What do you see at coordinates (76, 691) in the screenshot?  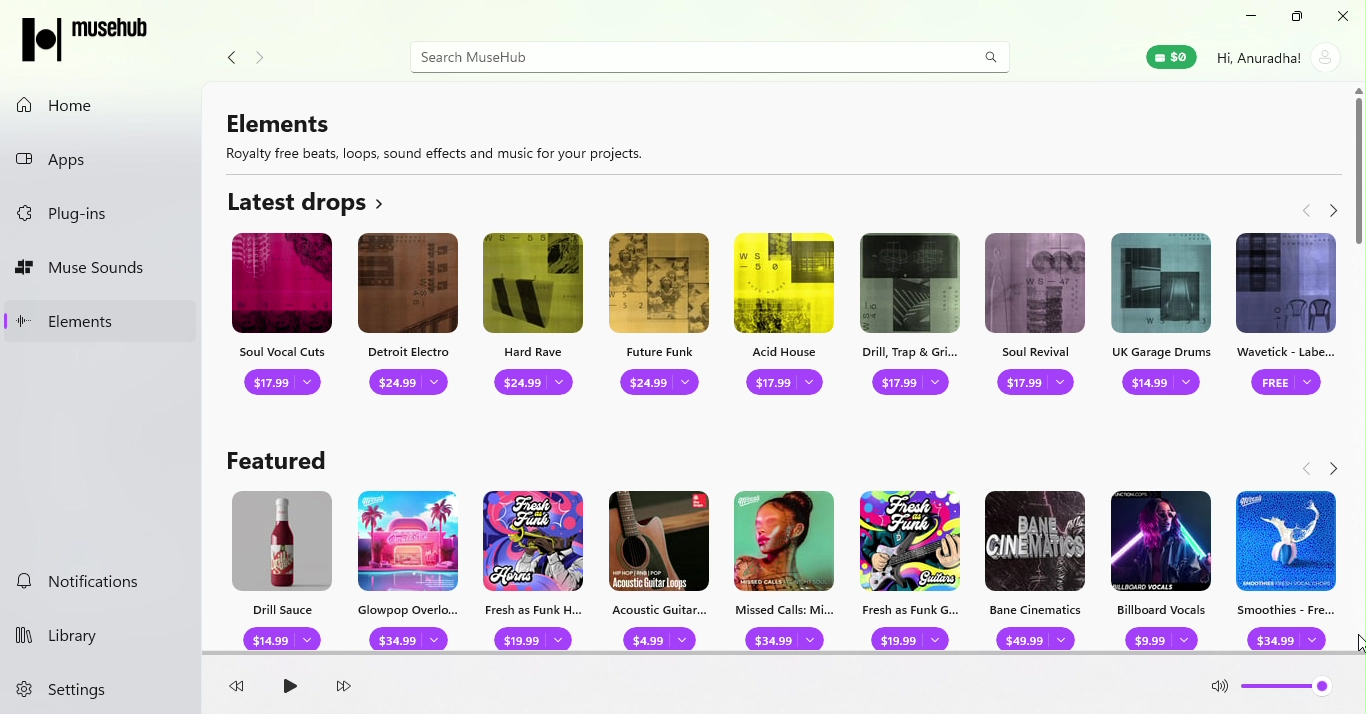 I see `Settings` at bounding box center [76, 691].